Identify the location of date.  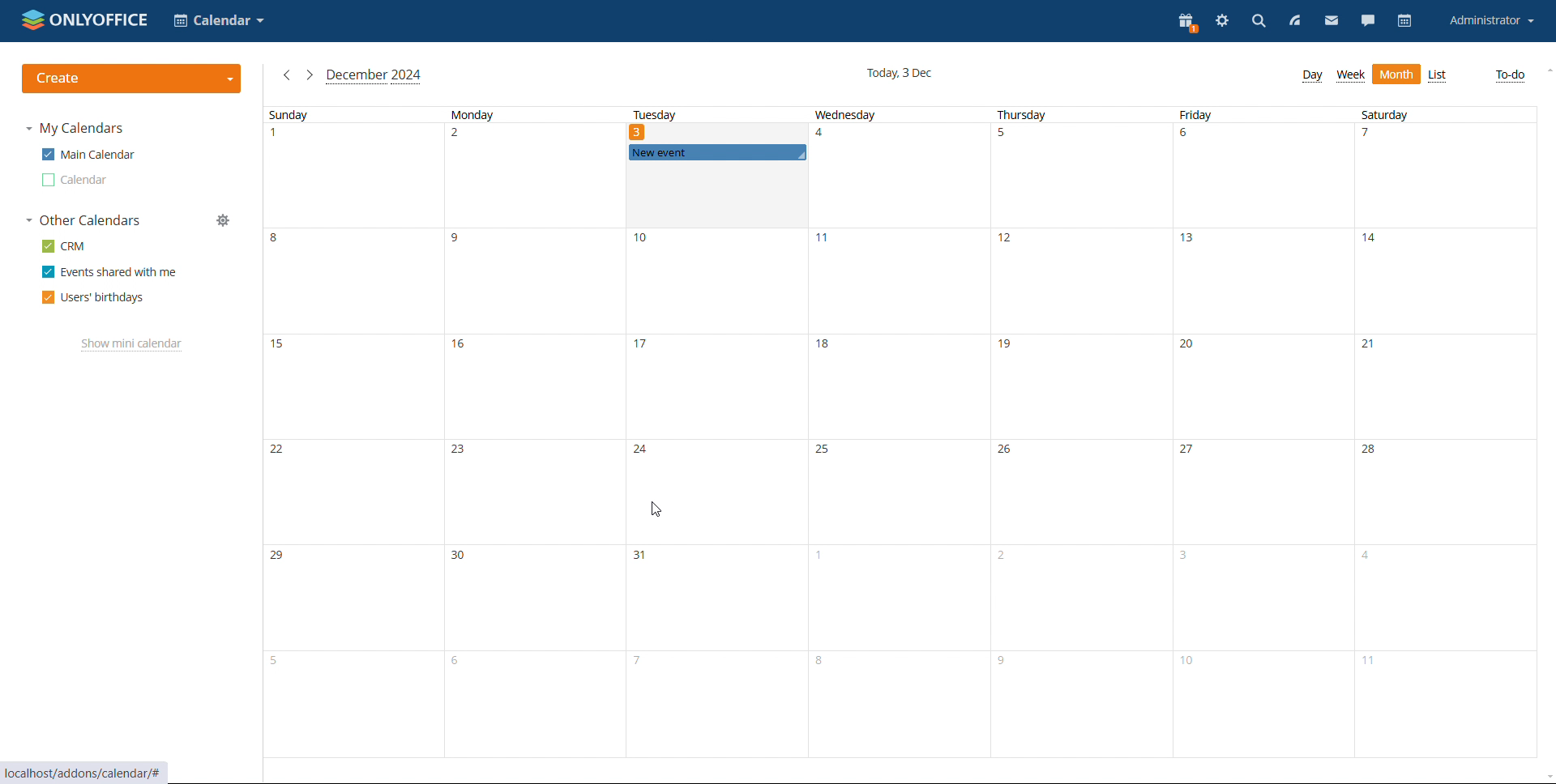
(1261, 282).